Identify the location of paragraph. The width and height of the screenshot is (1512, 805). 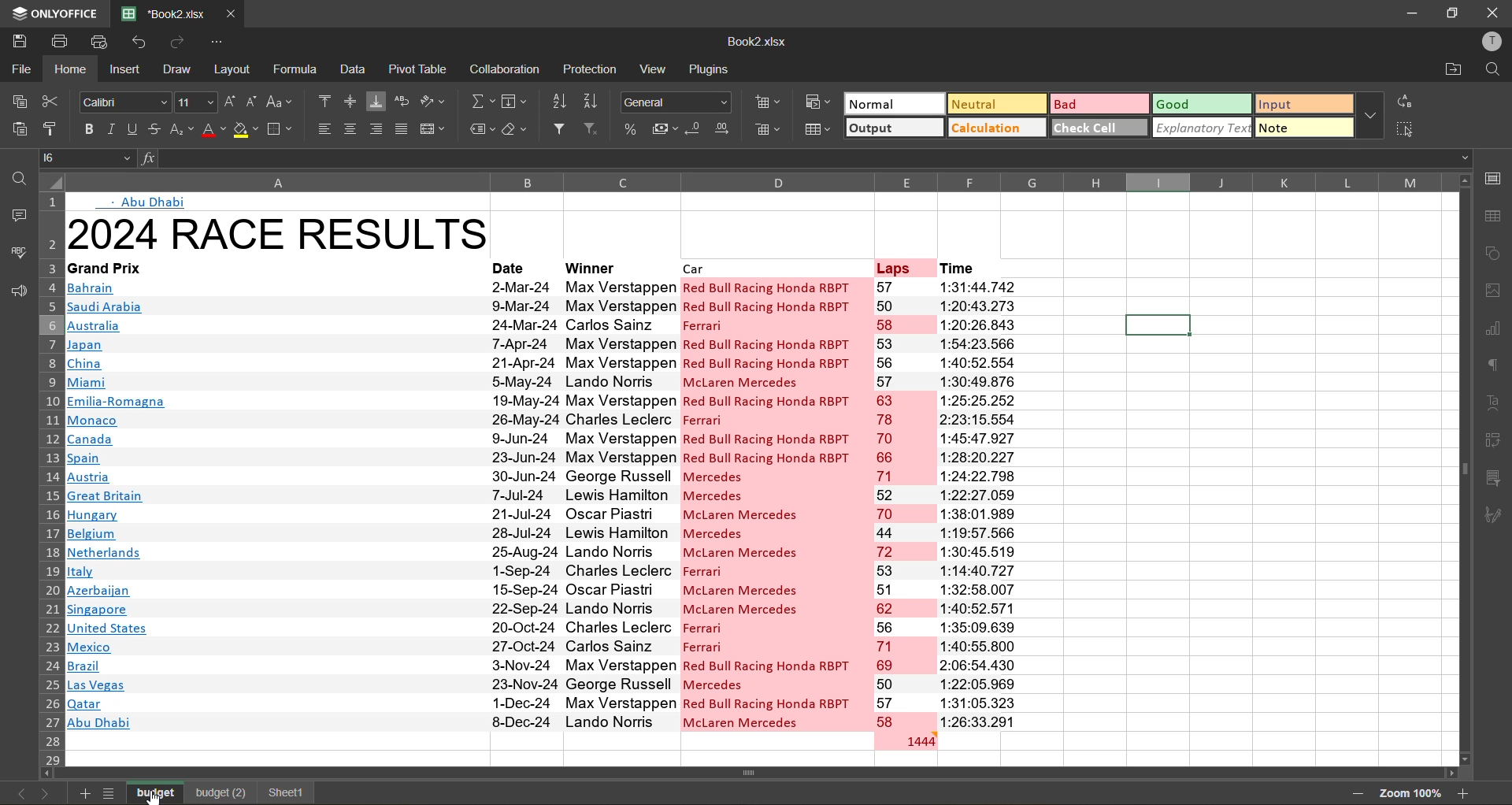
(1495, 364).